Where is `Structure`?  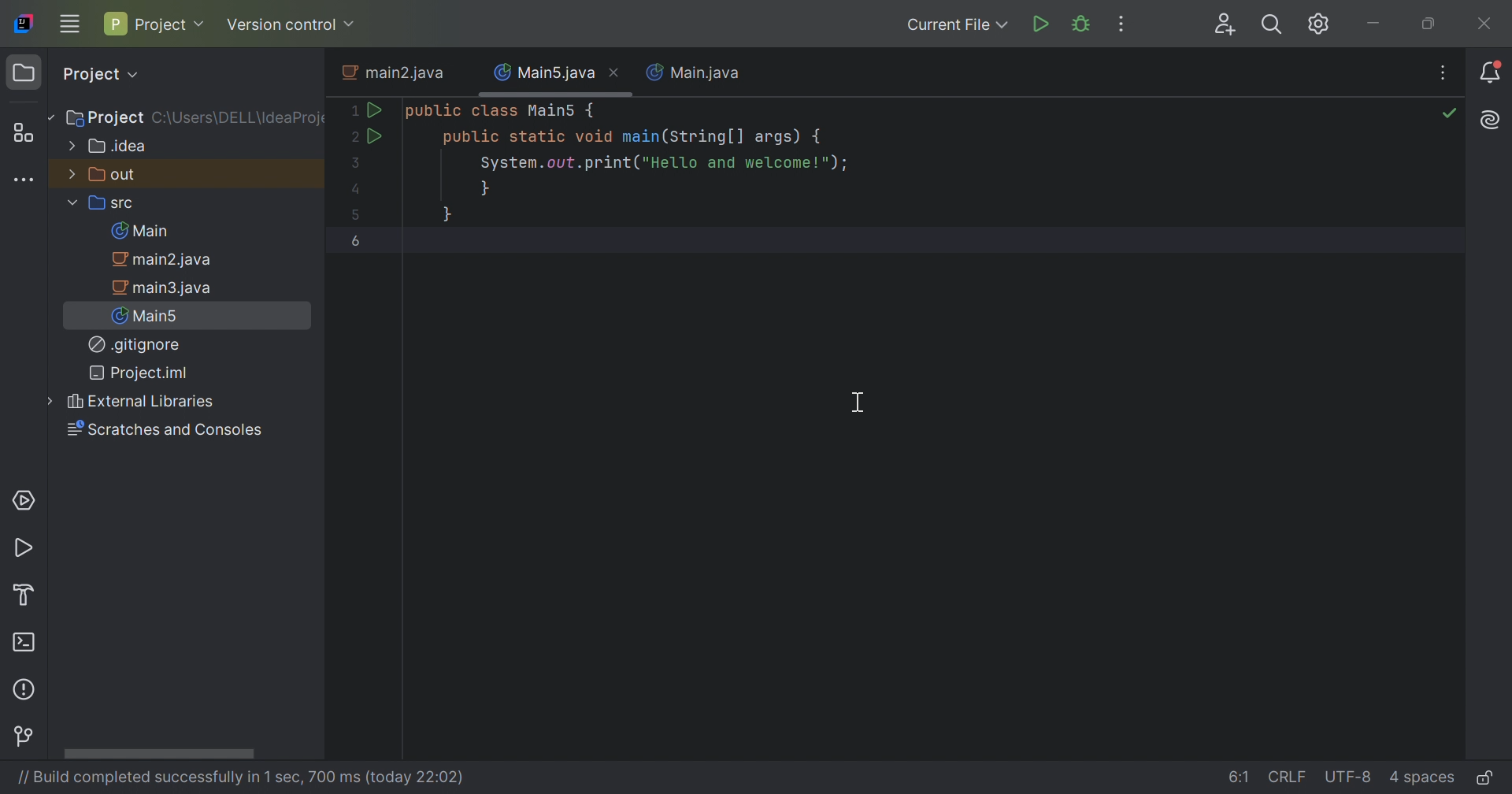
Structure is located at coordinates (27, 134).